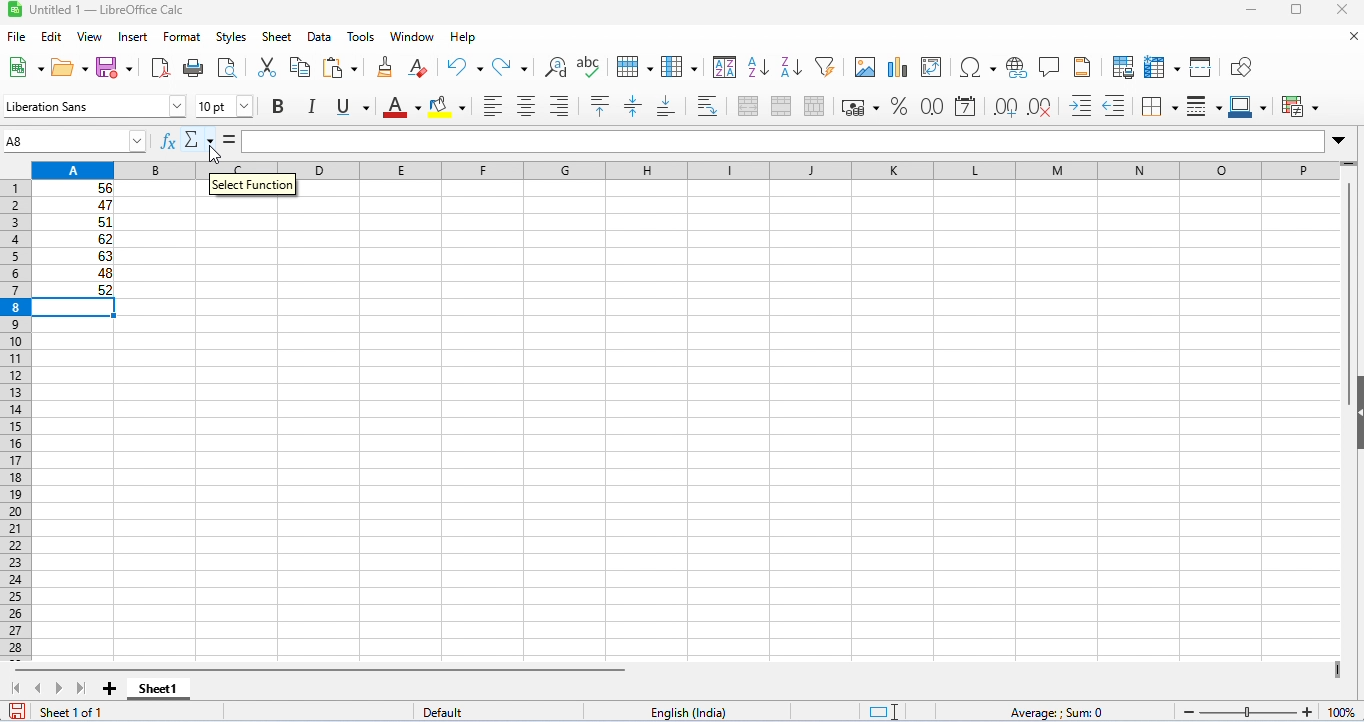  I want to click on clone, so click(384, 66).